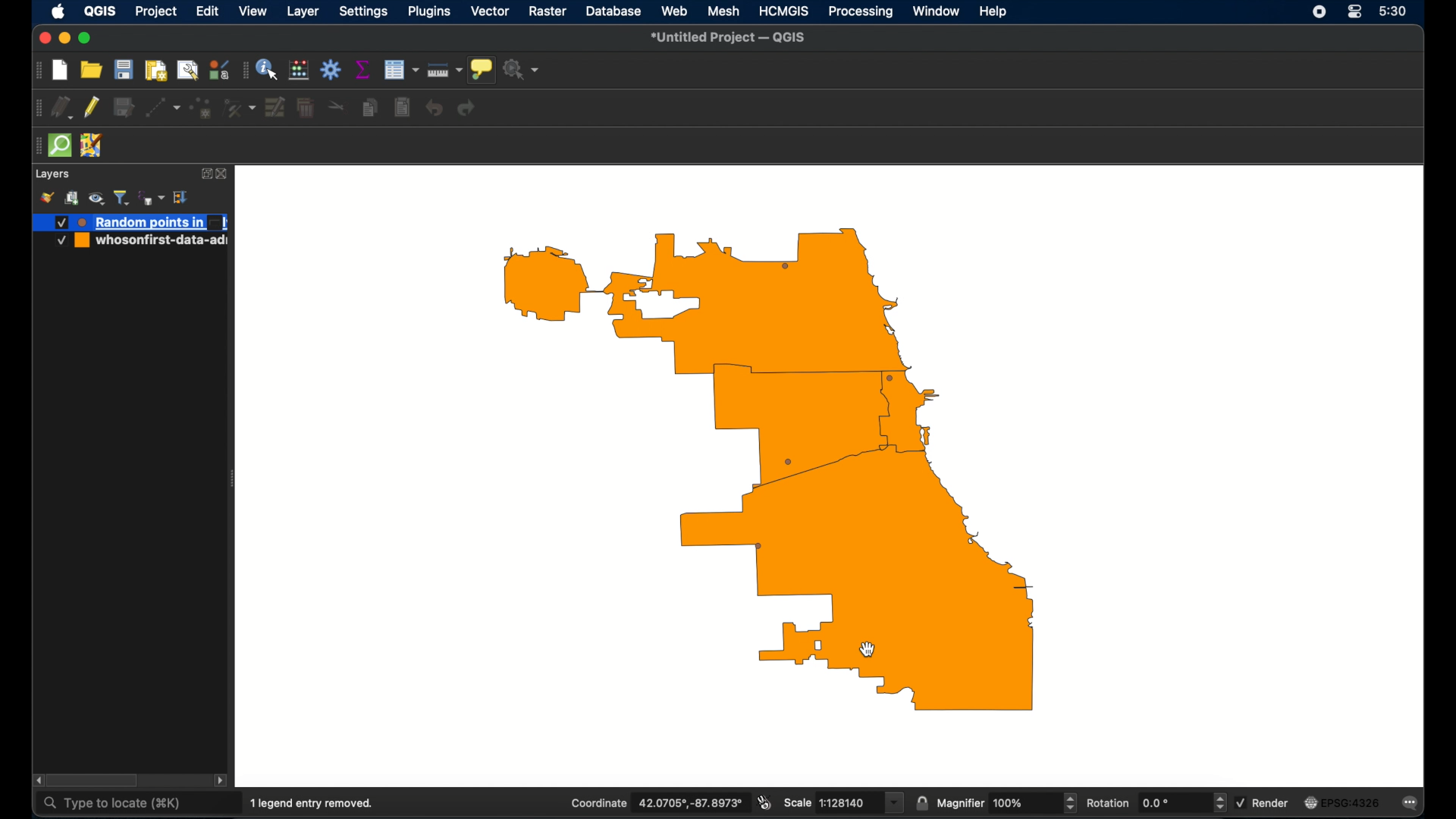 Image resolution: width=1456 pixels, height=819 pixels. What do you see at coordinates (61, 108) in the screenshot?
I see `current edits` at bounding box center [61, 108].